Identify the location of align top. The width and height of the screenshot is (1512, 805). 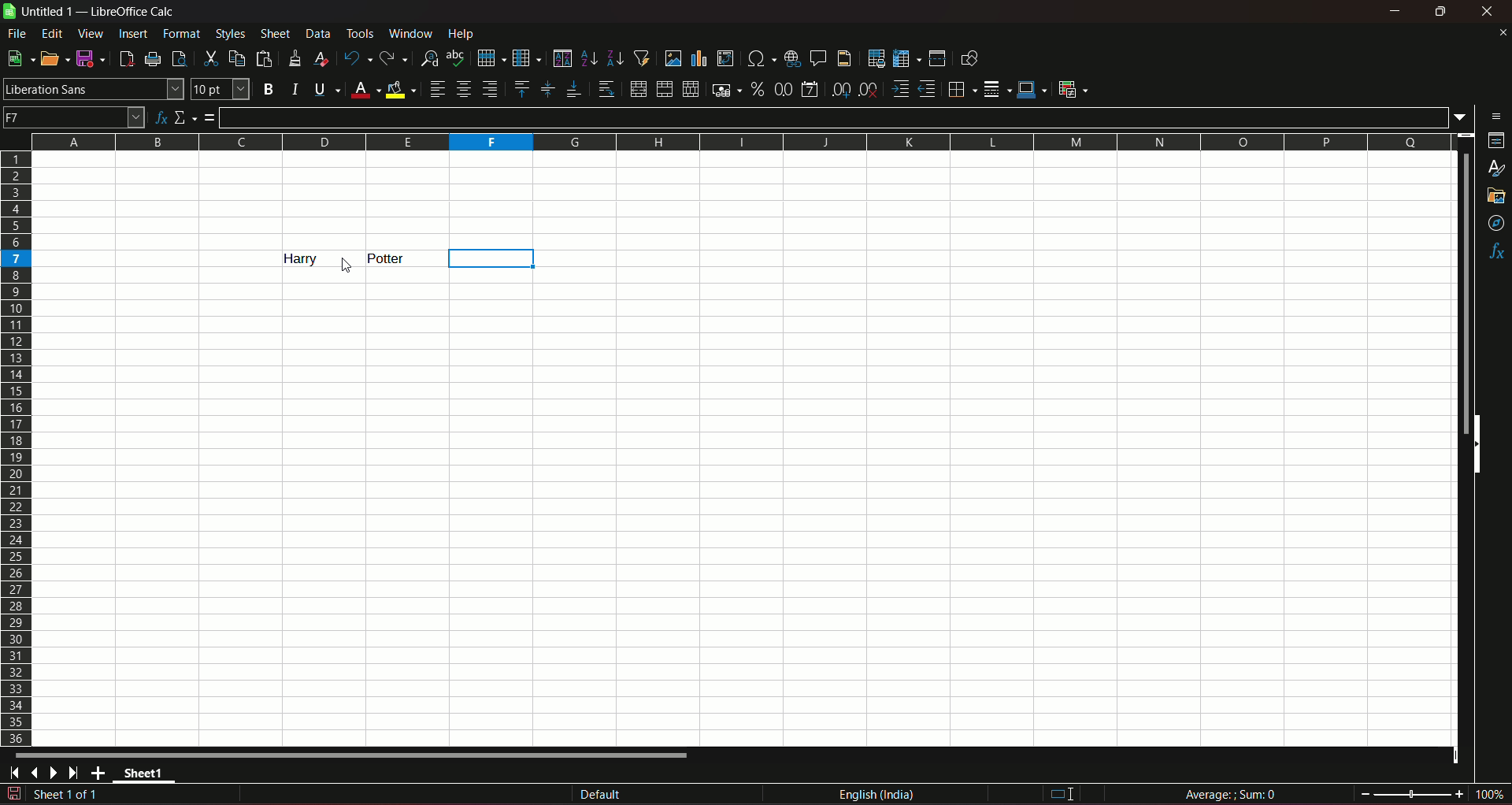
(521, 88).